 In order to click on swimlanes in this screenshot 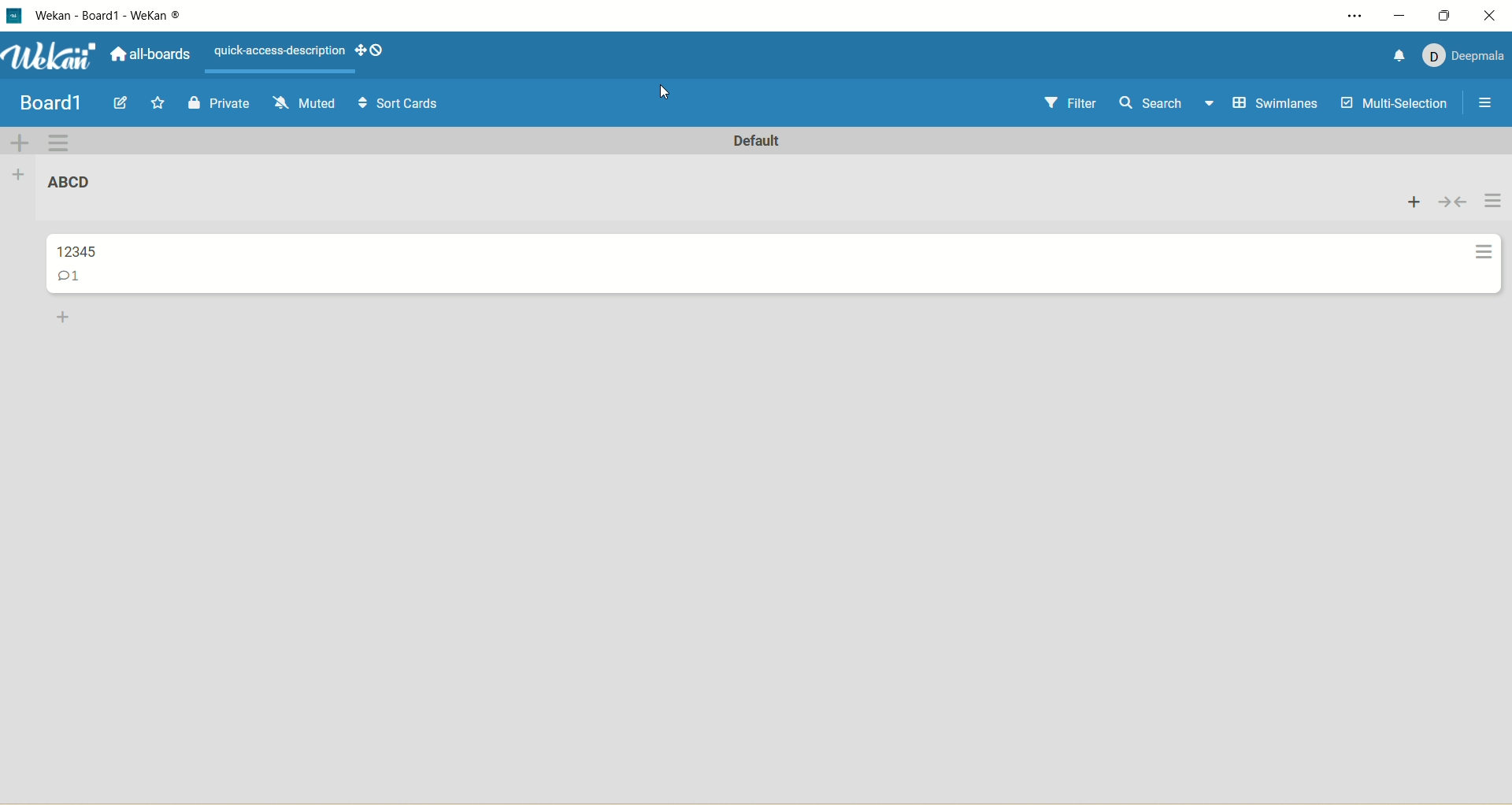, I will do `click(1277, 105)`.